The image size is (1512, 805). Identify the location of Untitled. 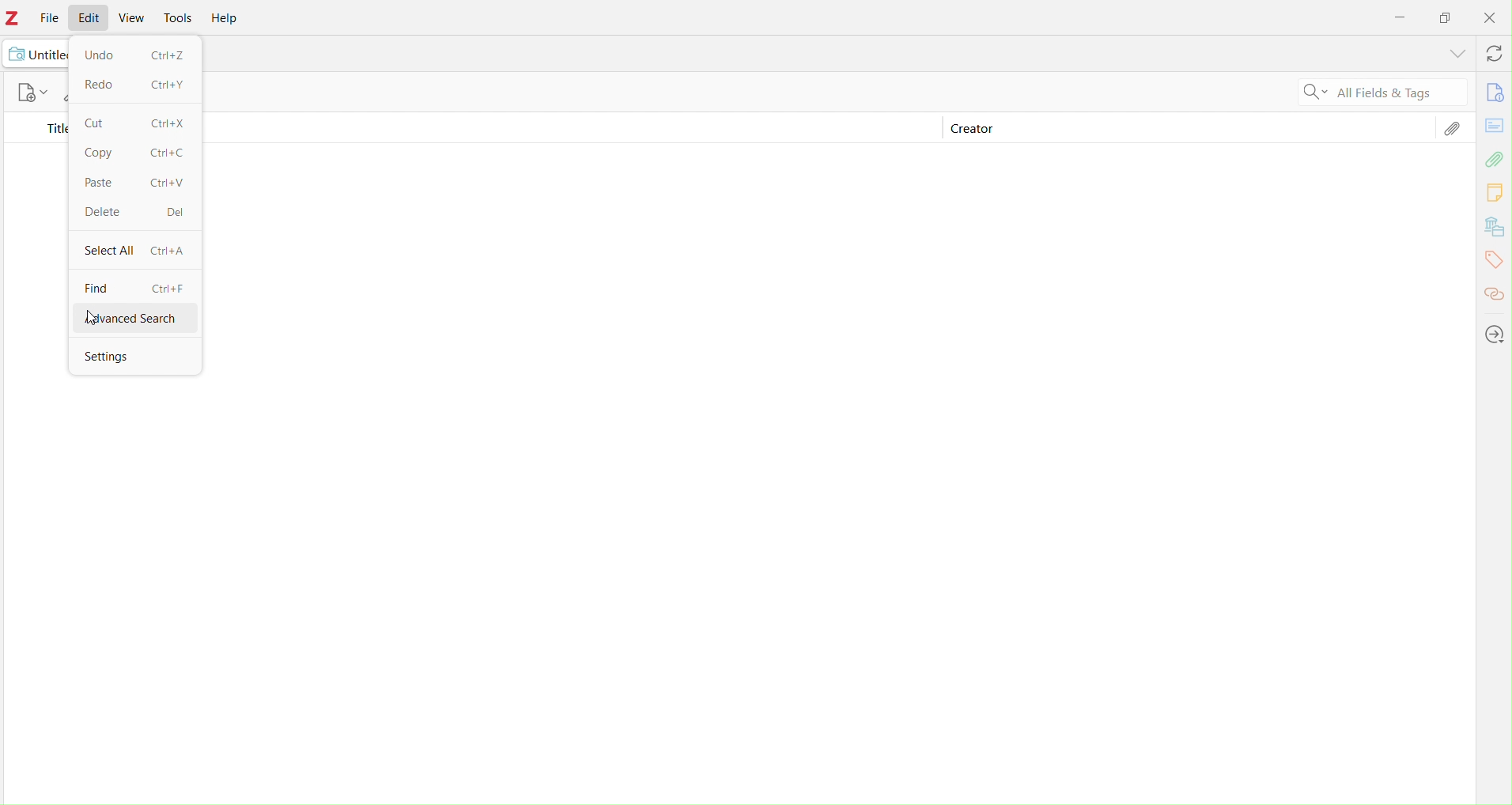
(34, 56).